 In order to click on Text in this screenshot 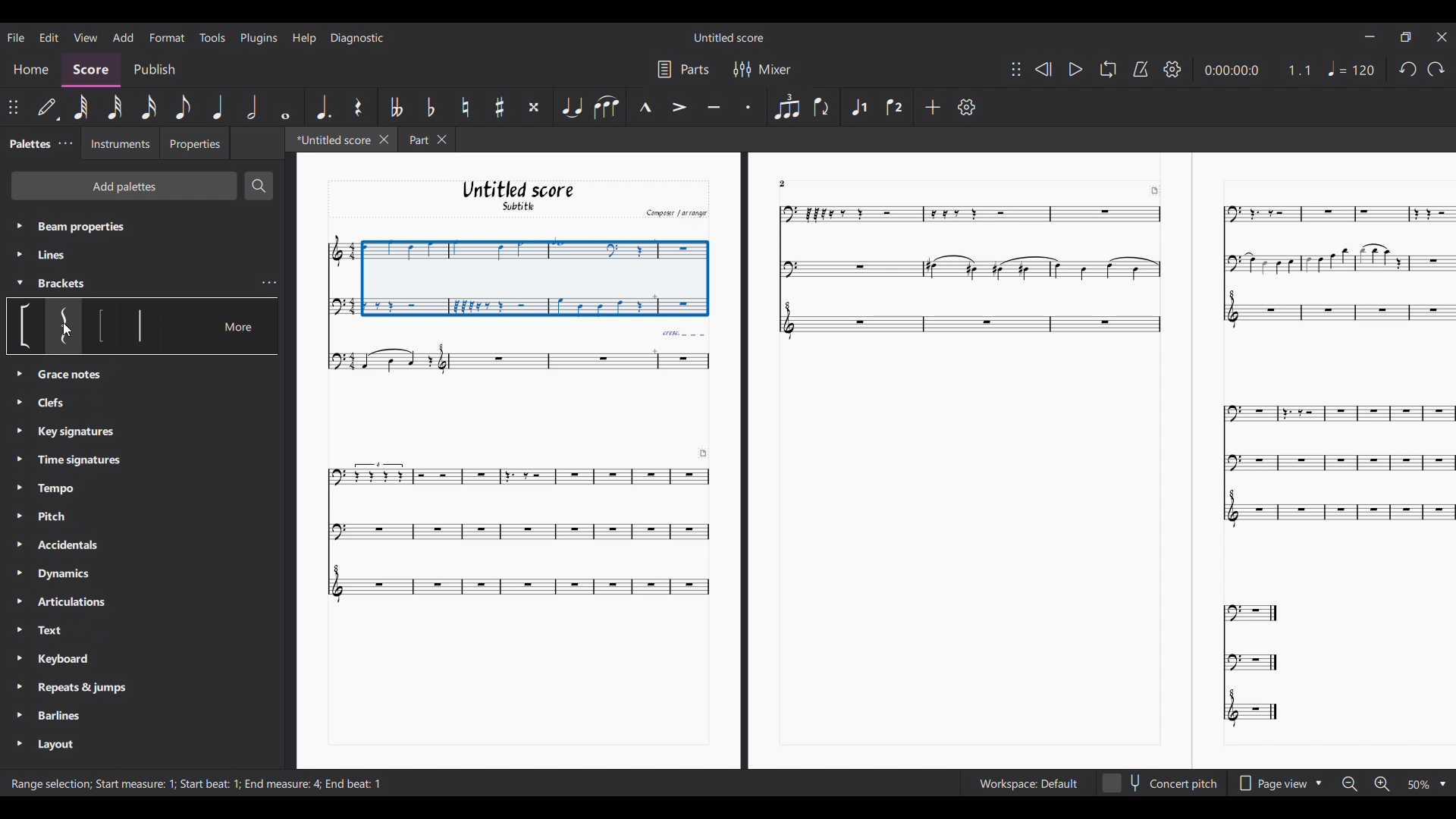, I will do `click(74, 630)`.